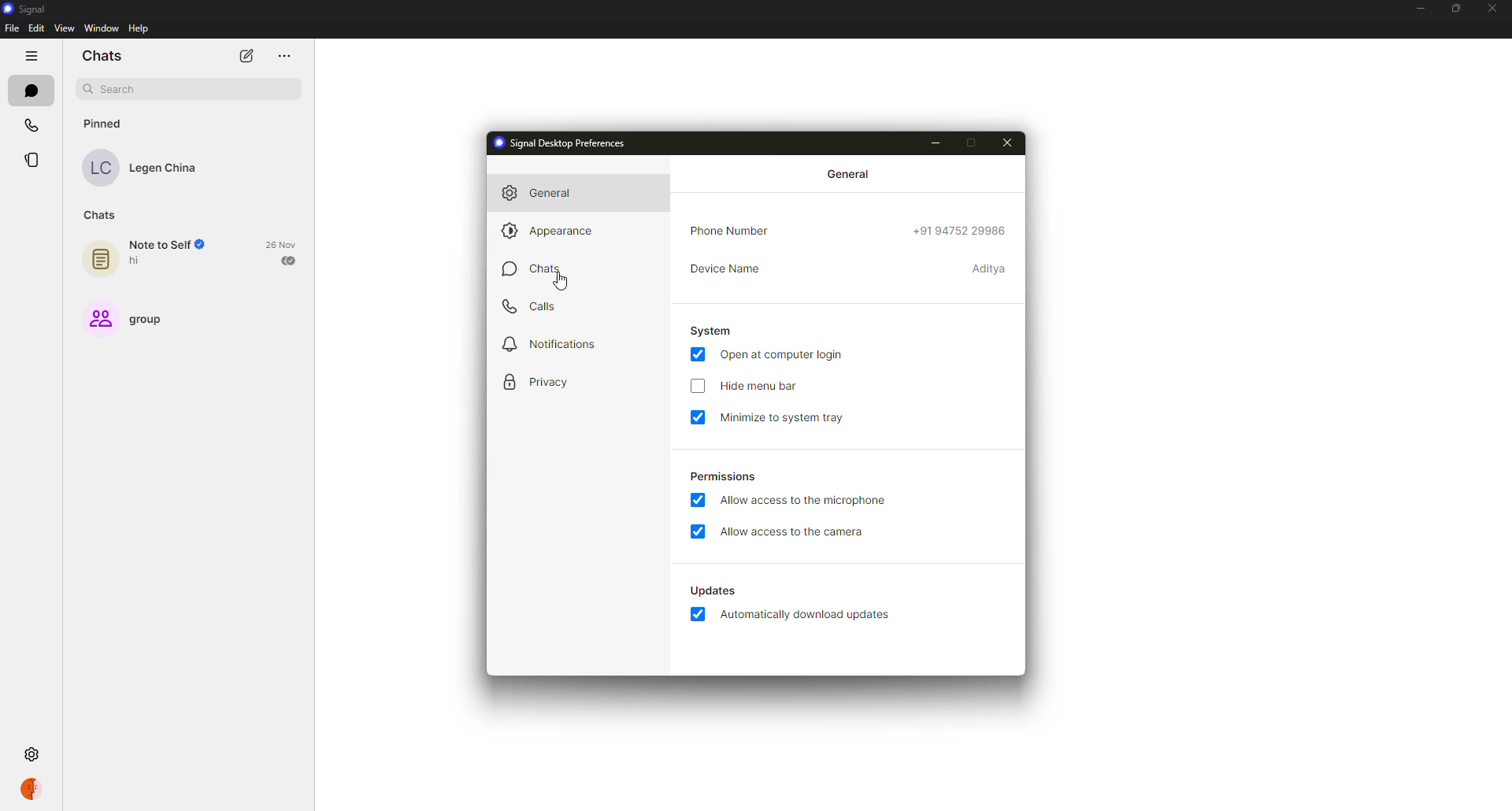 The width and height of the screenshot is (1512, 811). What do you see at coordinates (762, 386) in the screenshot?
I see `hide menu bar` at bounding box center [762, 386].